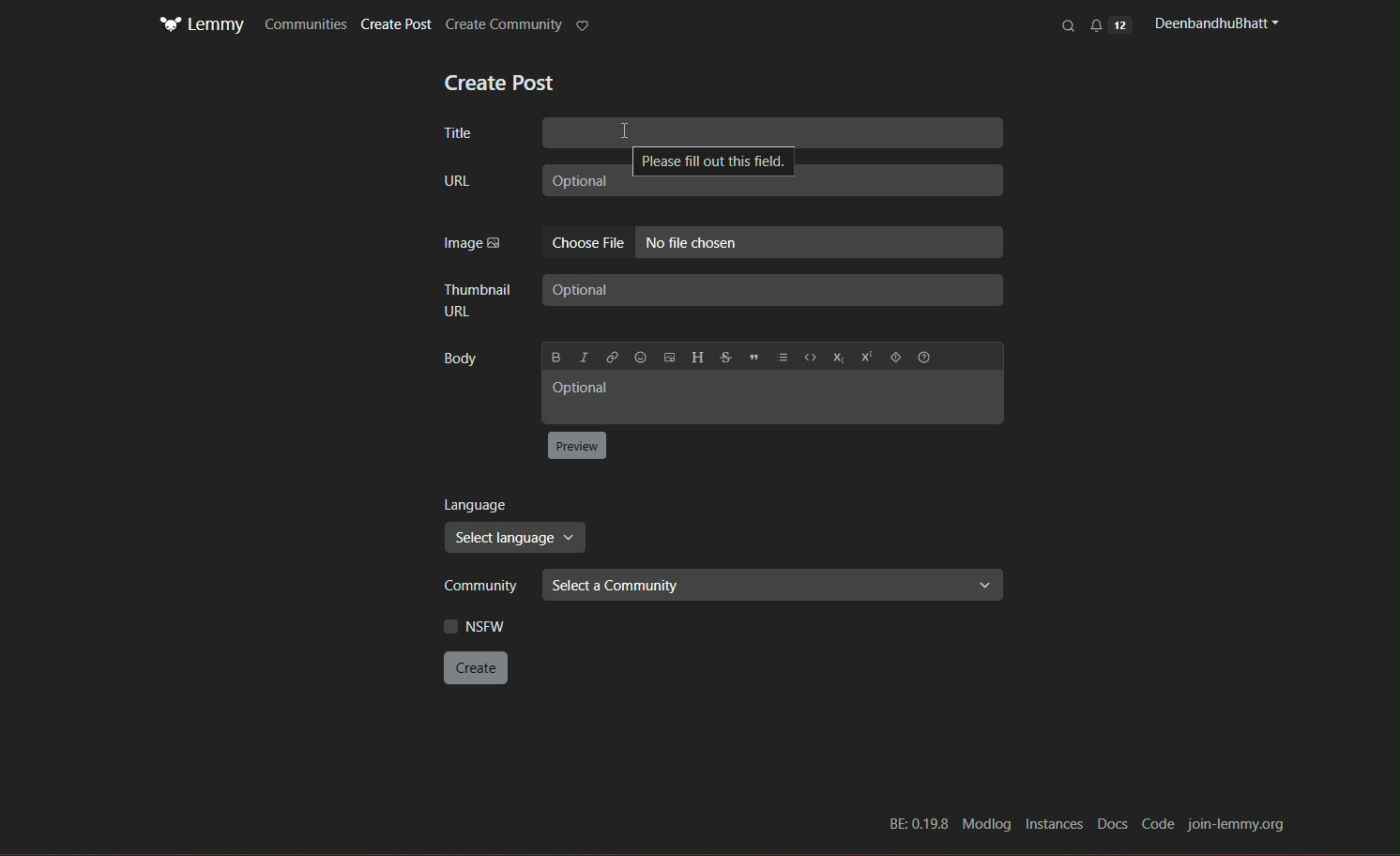 The image size is (1400, 856). Describe the element at coordinates (695, 357) in the screenshot. I see `Header` at that location.